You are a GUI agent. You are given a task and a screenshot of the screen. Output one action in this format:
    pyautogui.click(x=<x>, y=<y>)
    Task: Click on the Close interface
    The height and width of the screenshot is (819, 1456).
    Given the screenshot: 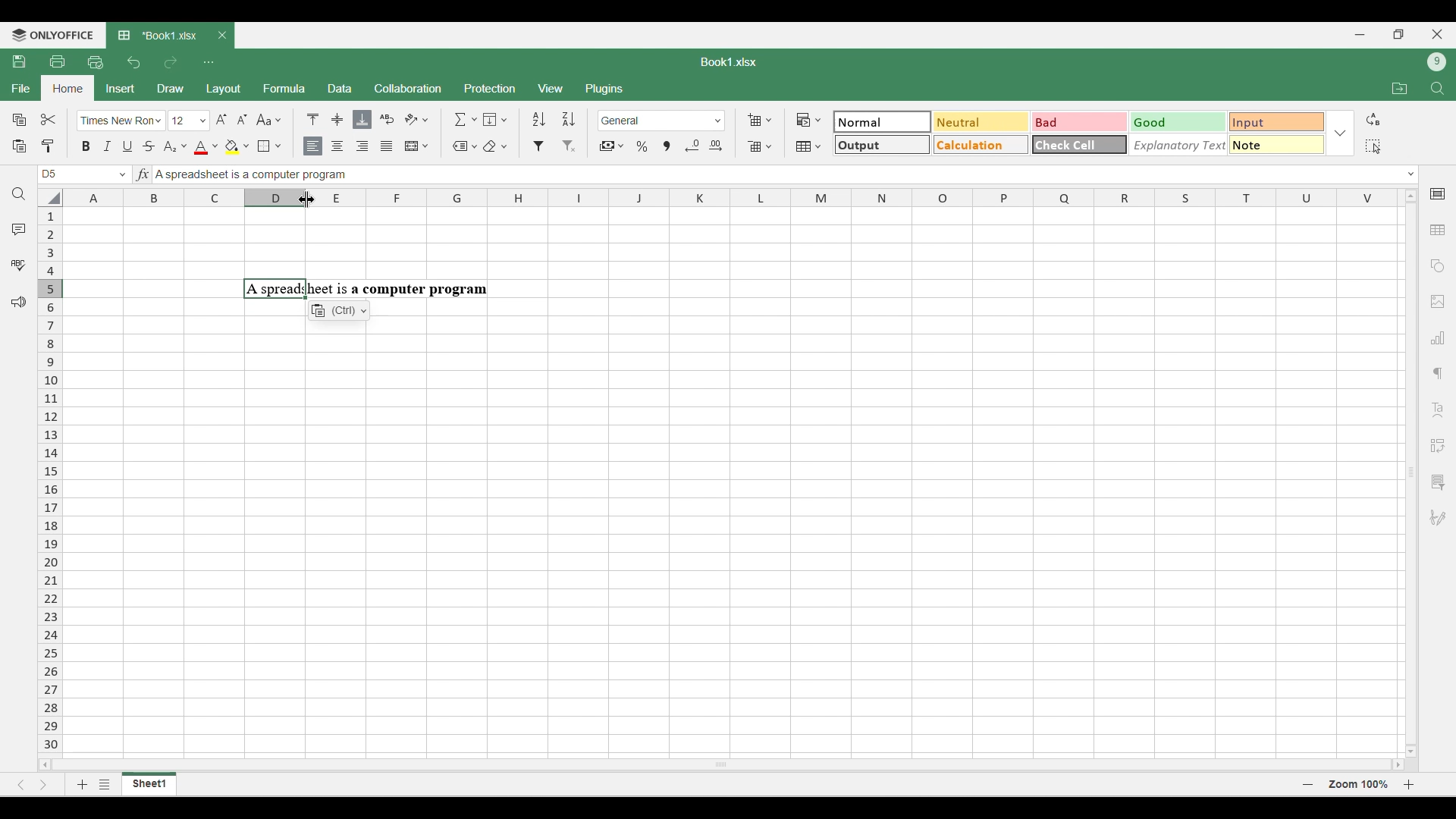 What is the action you would take?
    pyautogui.click(x=1437, y=34)
    